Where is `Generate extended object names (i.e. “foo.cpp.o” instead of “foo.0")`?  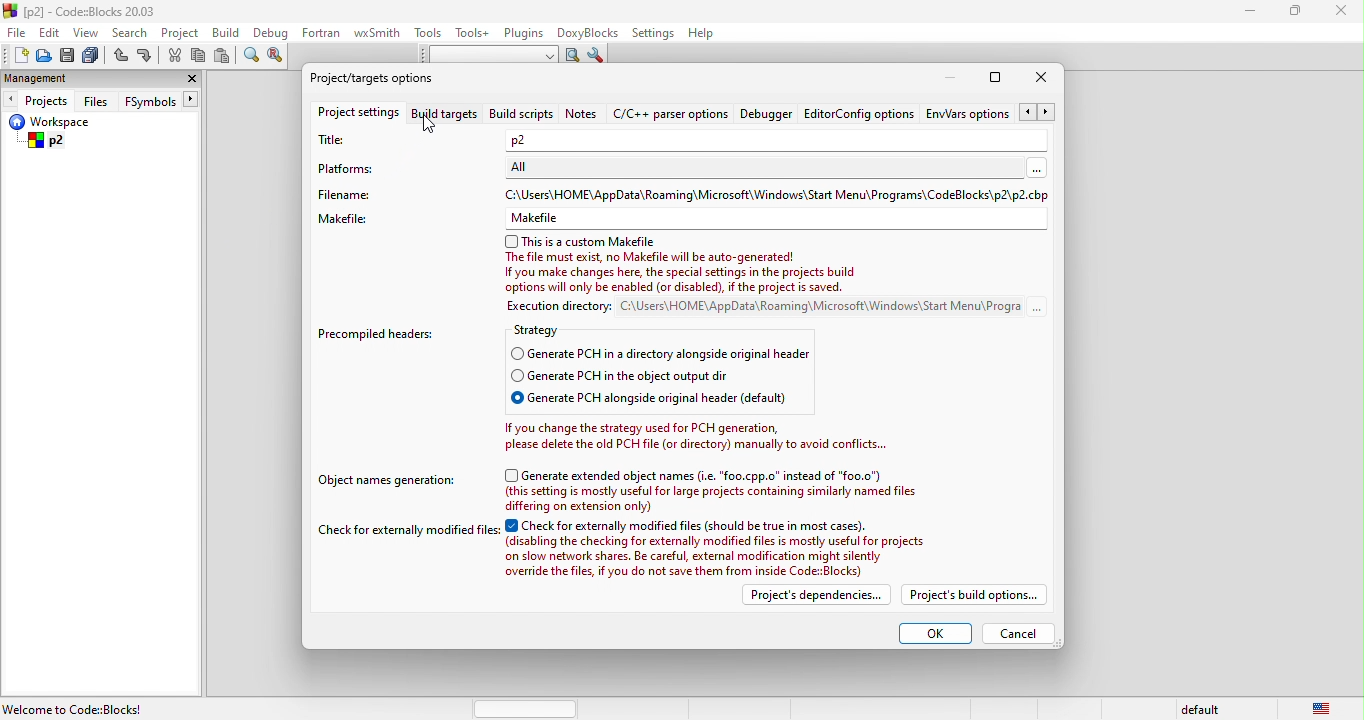 Generate extended object names (i.e. “foo.cpp.o” instead of “foo.0") is located at coordinates (695, 475).